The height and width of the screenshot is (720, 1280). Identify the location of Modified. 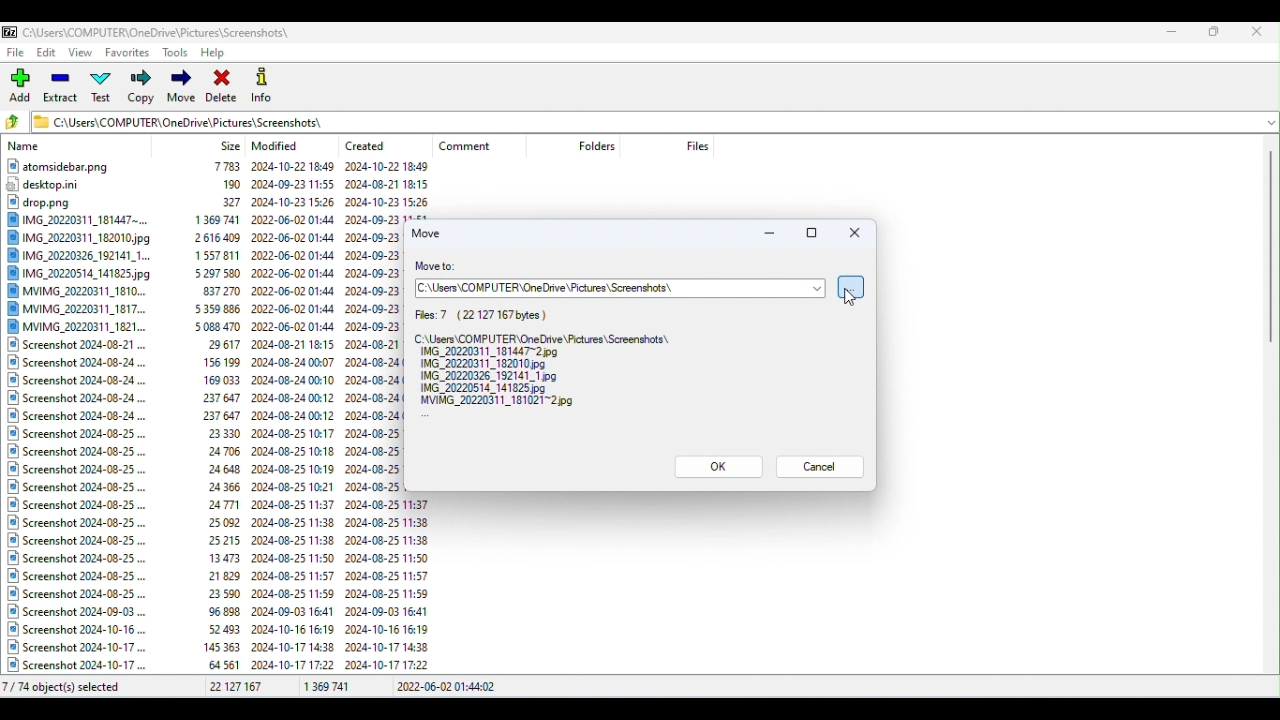
(279, 146).